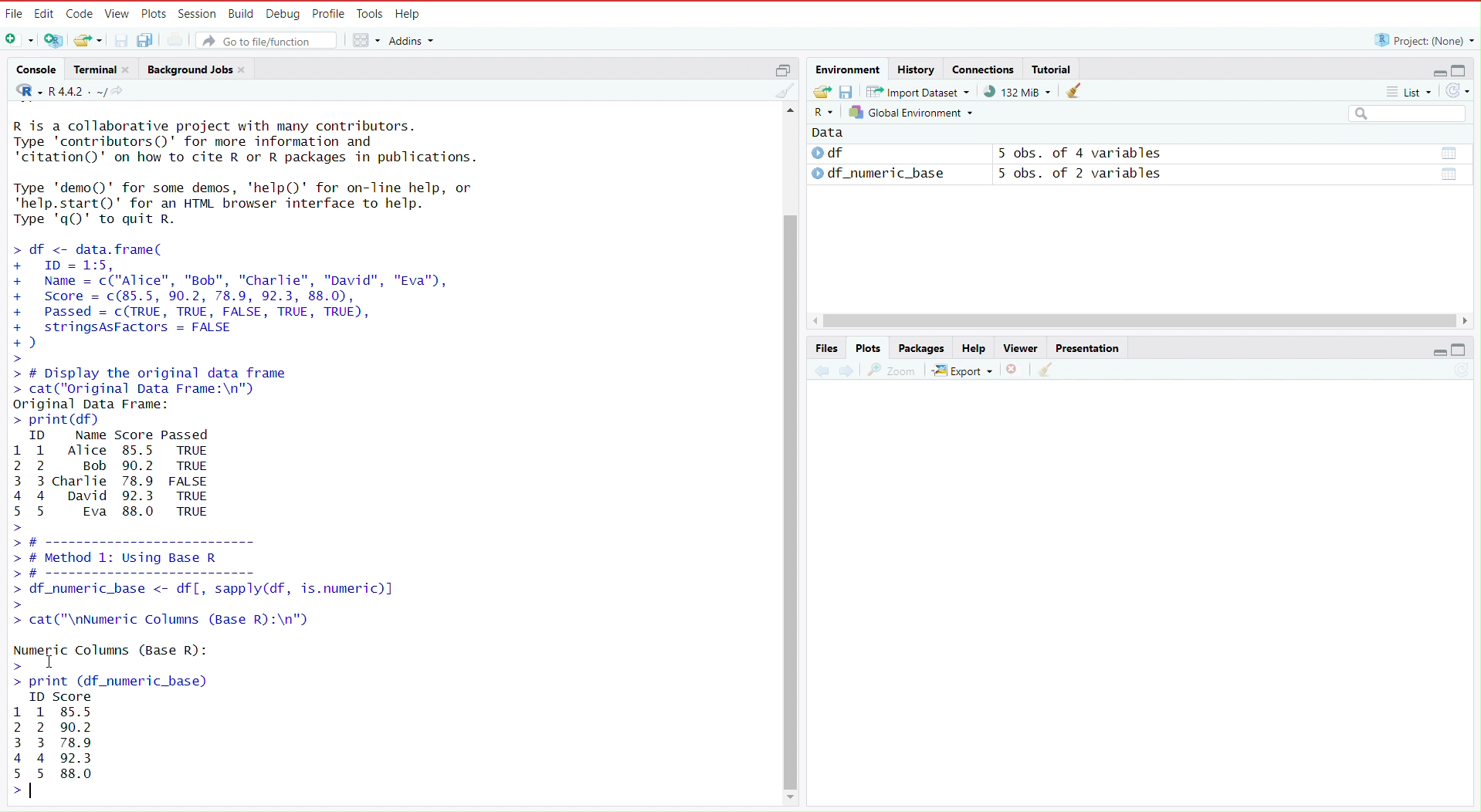 Image resolution: width=1481 pixels, height=812 pixels. Describe the element at coordinates (92, 67) in the screenshot. I see `Terminal` at that location.